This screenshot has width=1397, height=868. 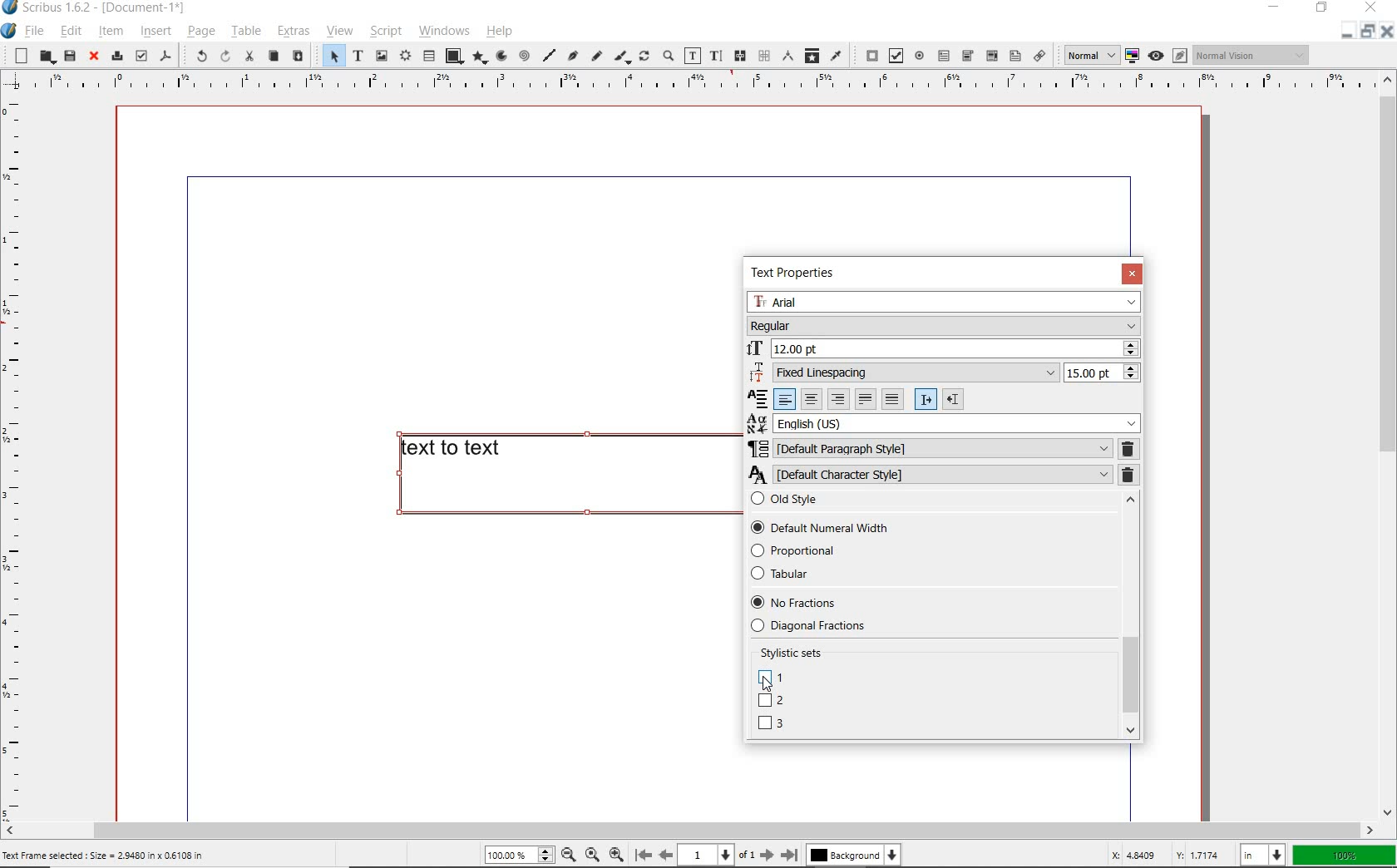 What do you see at coordinates (689, 830) in the screenshot?
I see `scrollbar` at bounding box center [689, 830].